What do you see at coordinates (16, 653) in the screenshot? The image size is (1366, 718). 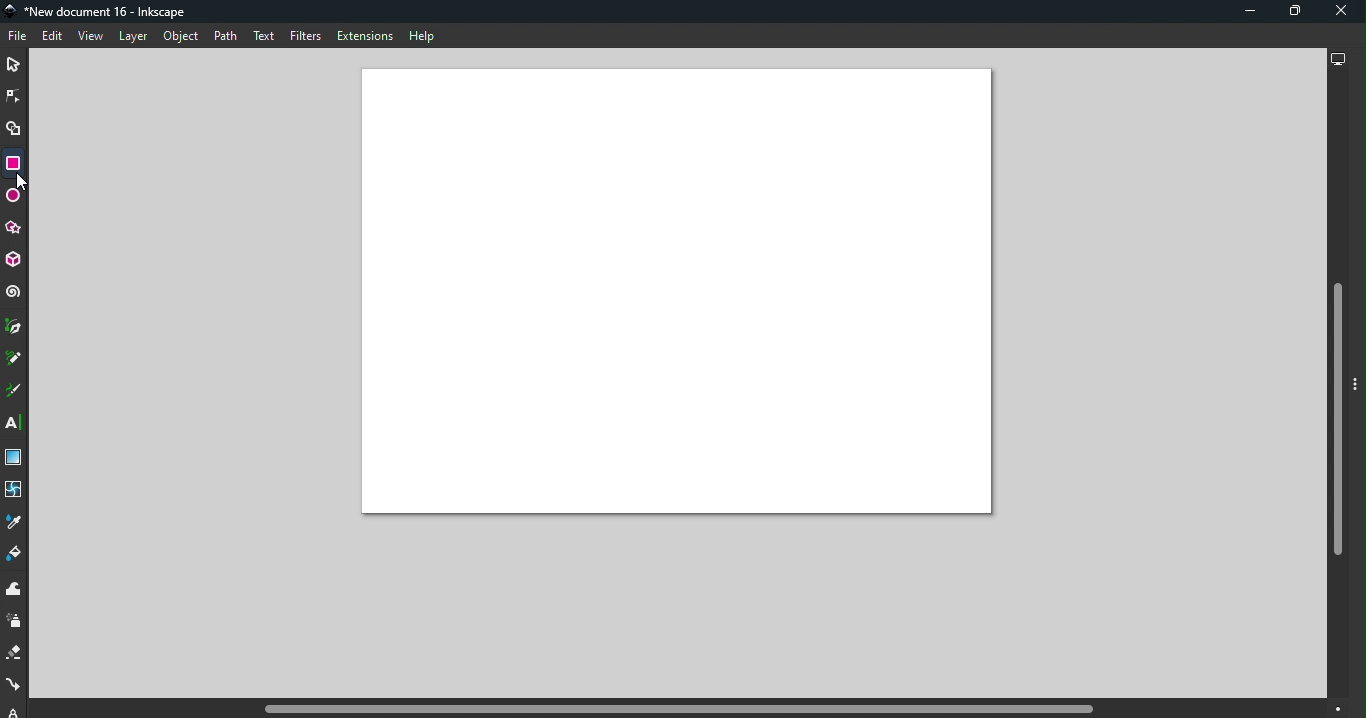 I see `Eraser tool` at bounding box center [16, 653].